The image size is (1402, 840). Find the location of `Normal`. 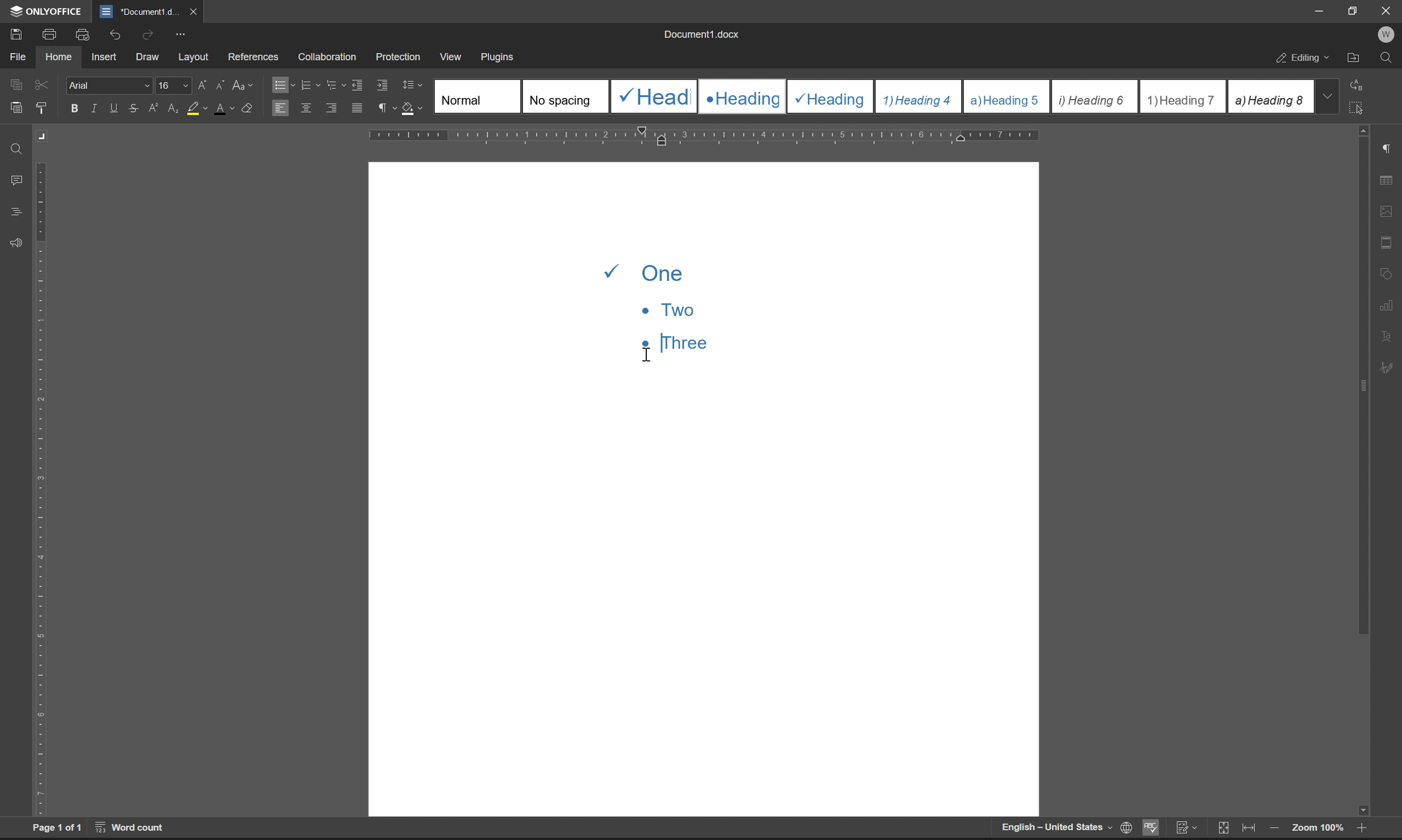

Normal is located at coordinates (478, 96).